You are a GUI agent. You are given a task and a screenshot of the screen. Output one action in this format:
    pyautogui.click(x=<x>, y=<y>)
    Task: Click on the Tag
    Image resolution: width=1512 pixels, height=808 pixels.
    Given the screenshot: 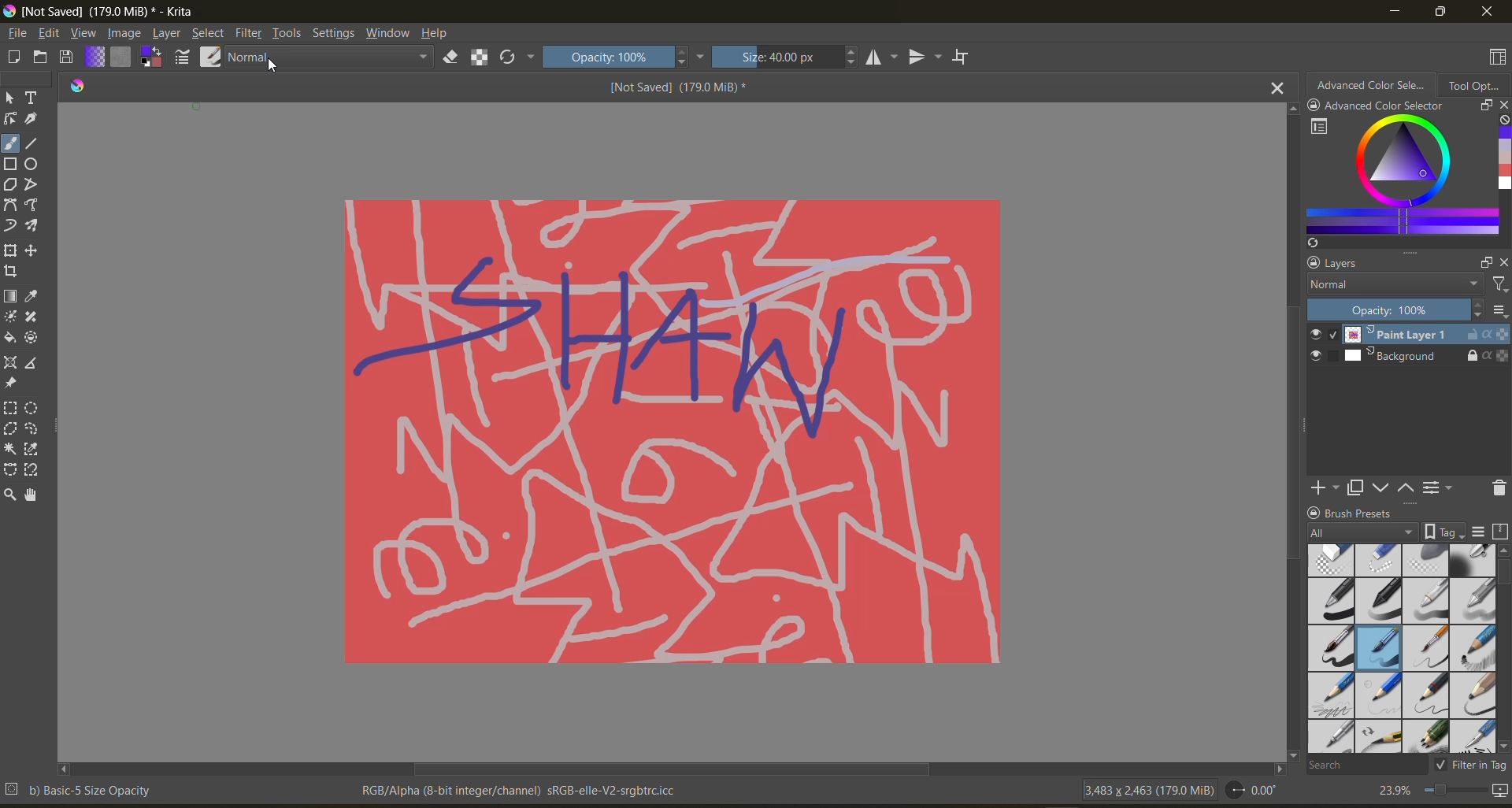 What is the action you would take?
    pyautogui.click(x=1445, y=532)
    